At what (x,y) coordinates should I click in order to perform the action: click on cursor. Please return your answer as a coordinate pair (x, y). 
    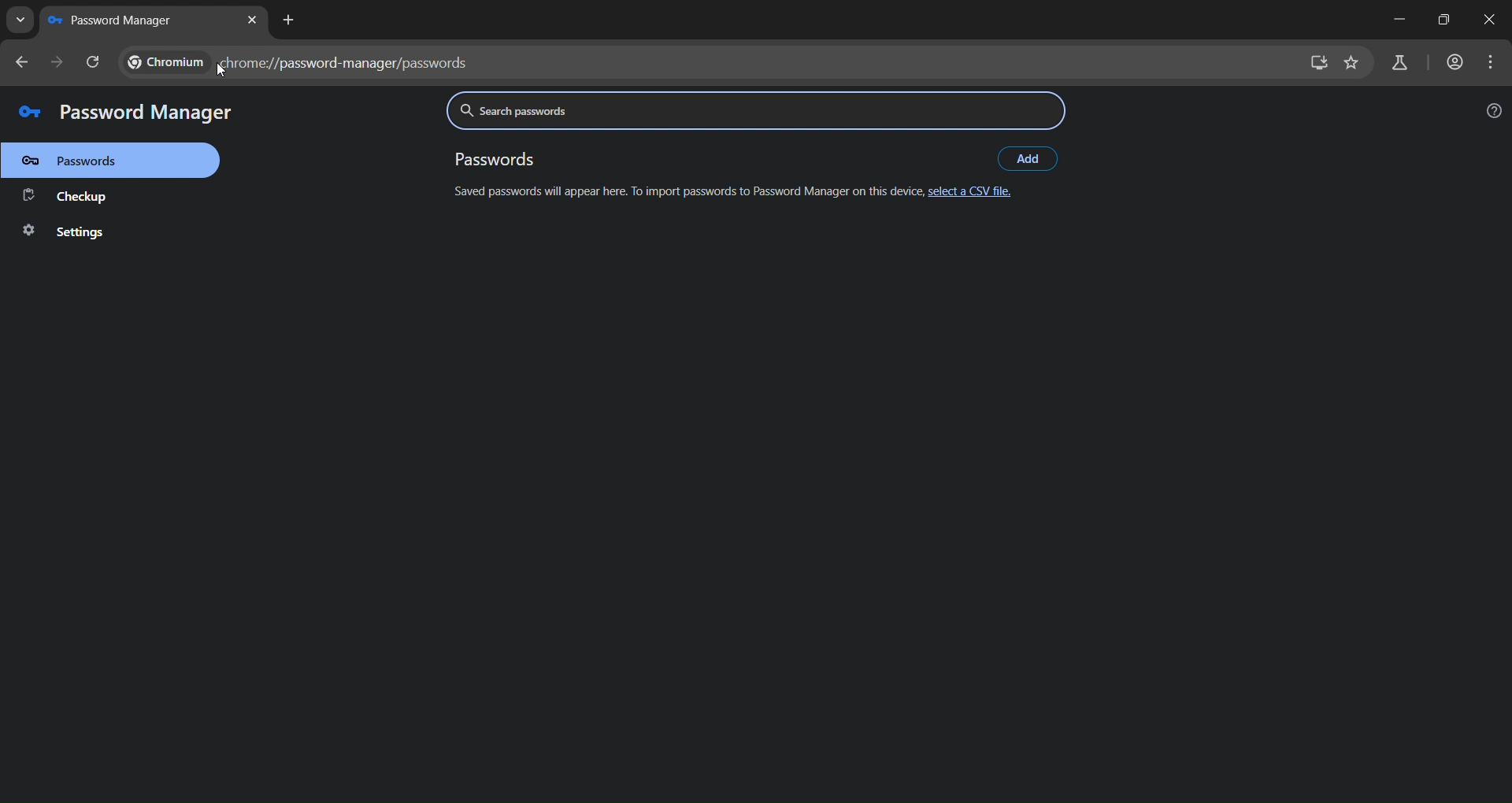
    Looking at the image, I should click on (217, 65).